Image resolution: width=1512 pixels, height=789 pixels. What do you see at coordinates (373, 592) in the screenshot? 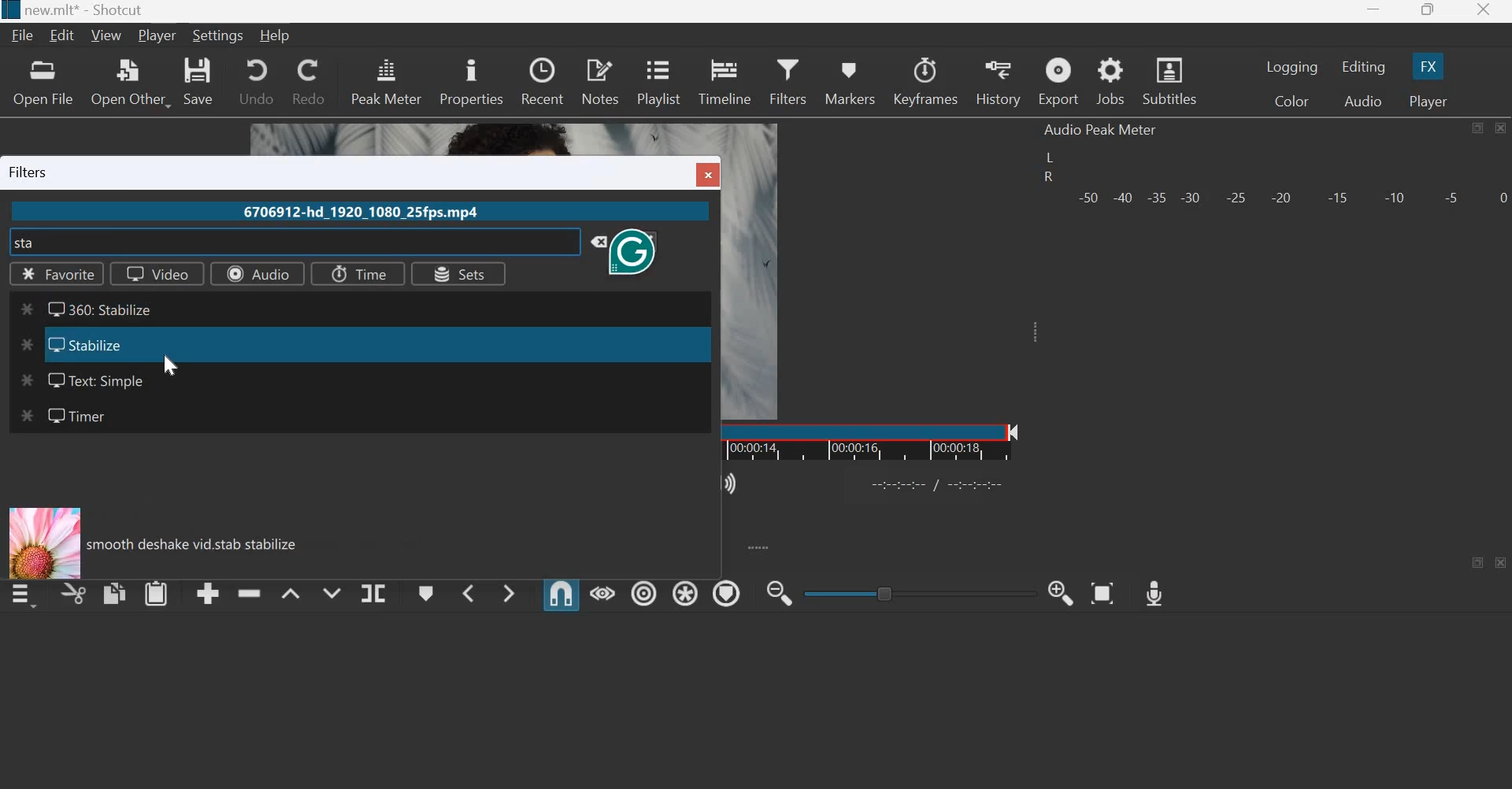
I see `Split at playhead` at bounding box center [373, 592].